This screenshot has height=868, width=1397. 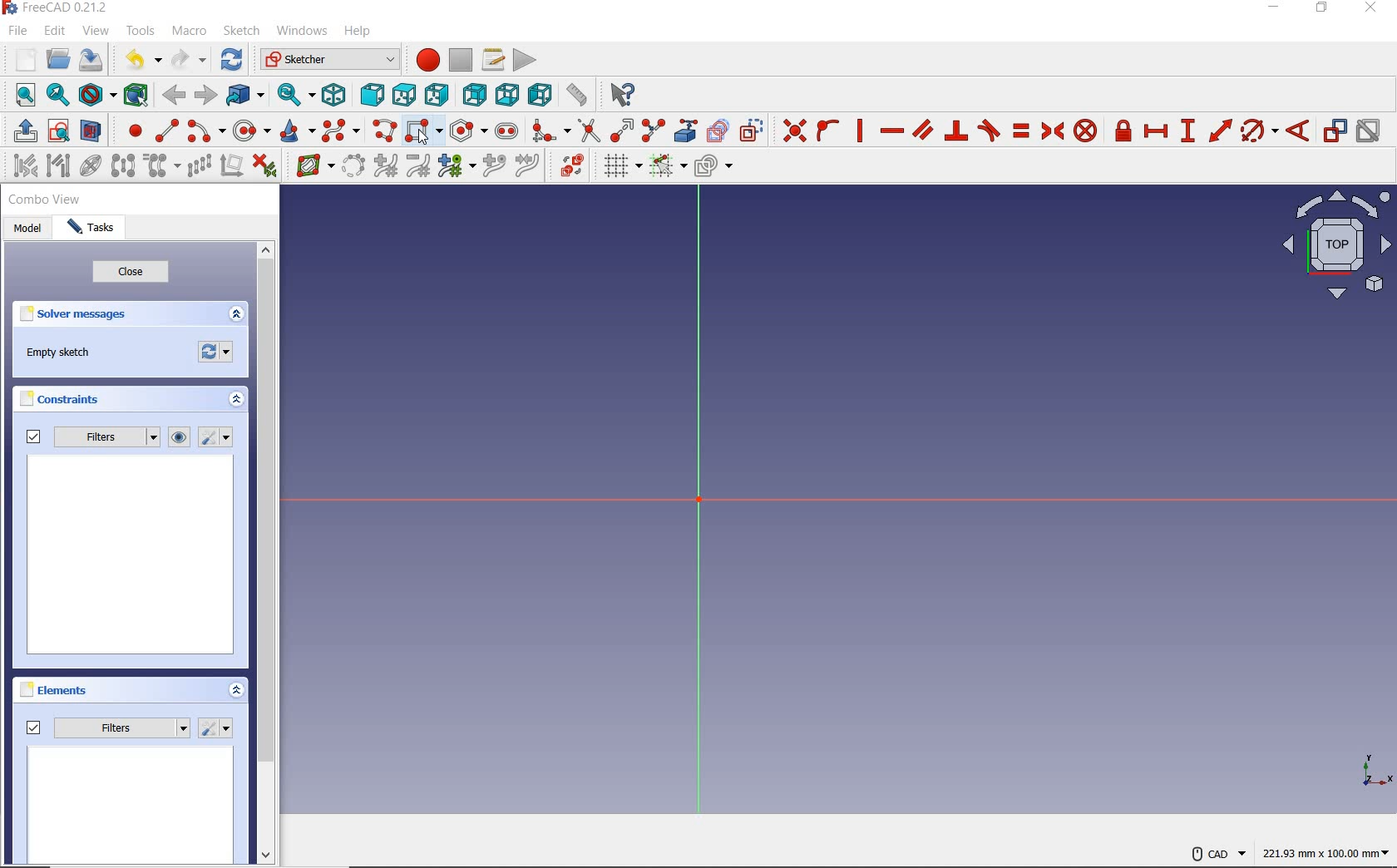 What do you see at coordinates (136, 60) in the screenshot?
I see `undo` at bounding box center [136, 60].